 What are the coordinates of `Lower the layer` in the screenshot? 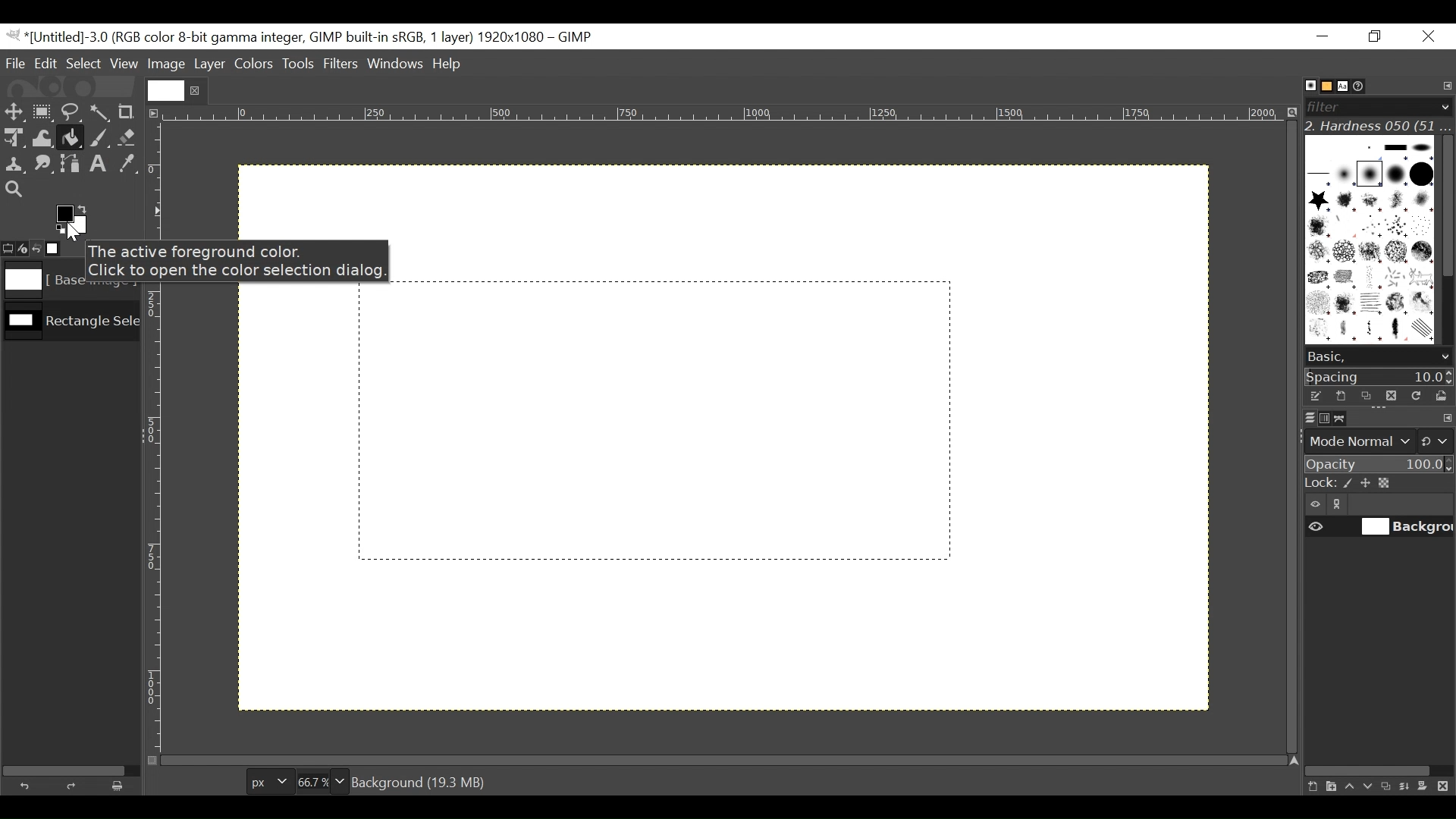 It's located at (1369, 785).